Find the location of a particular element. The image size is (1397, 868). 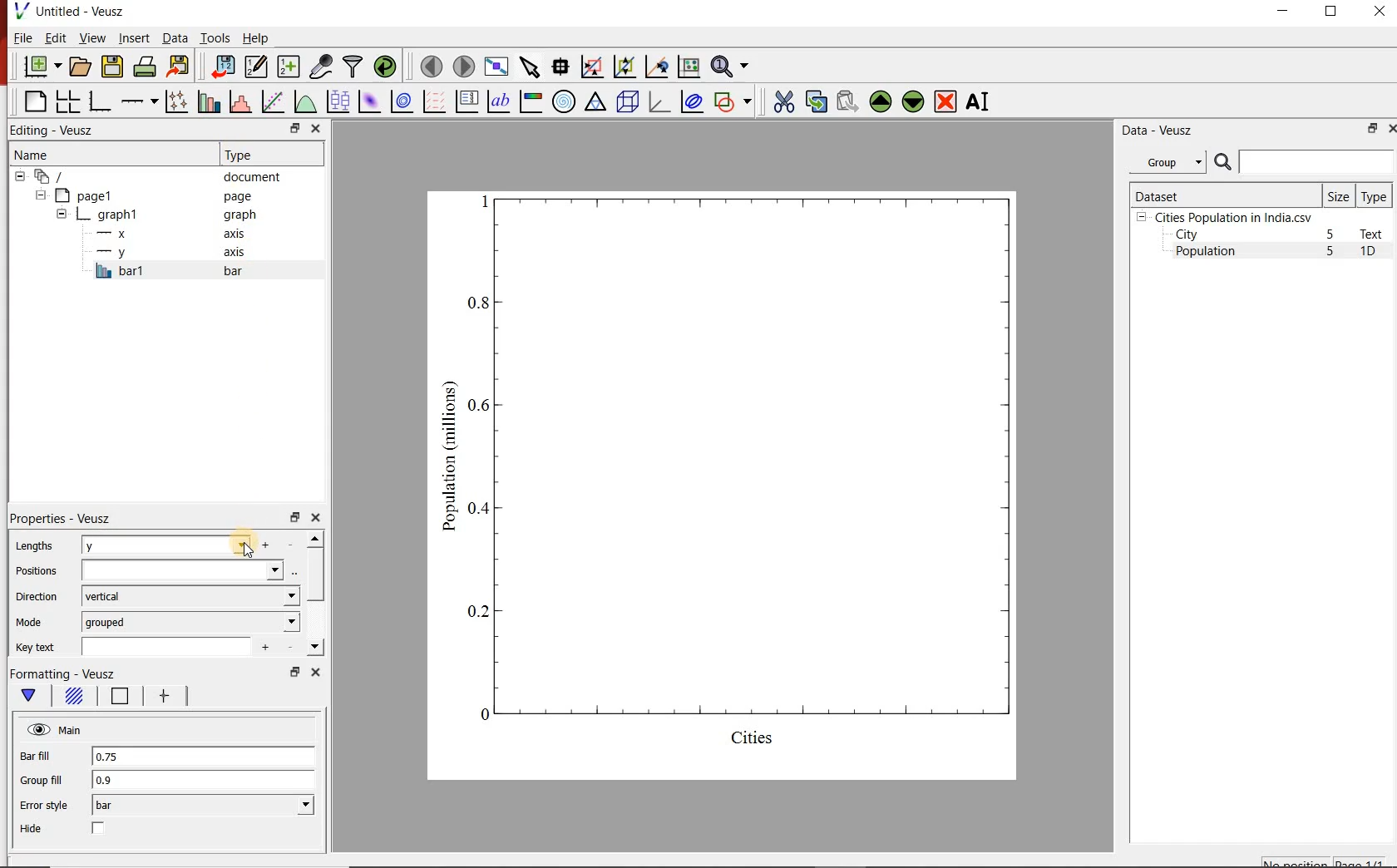

cursor is located at coordinates (248, 542).